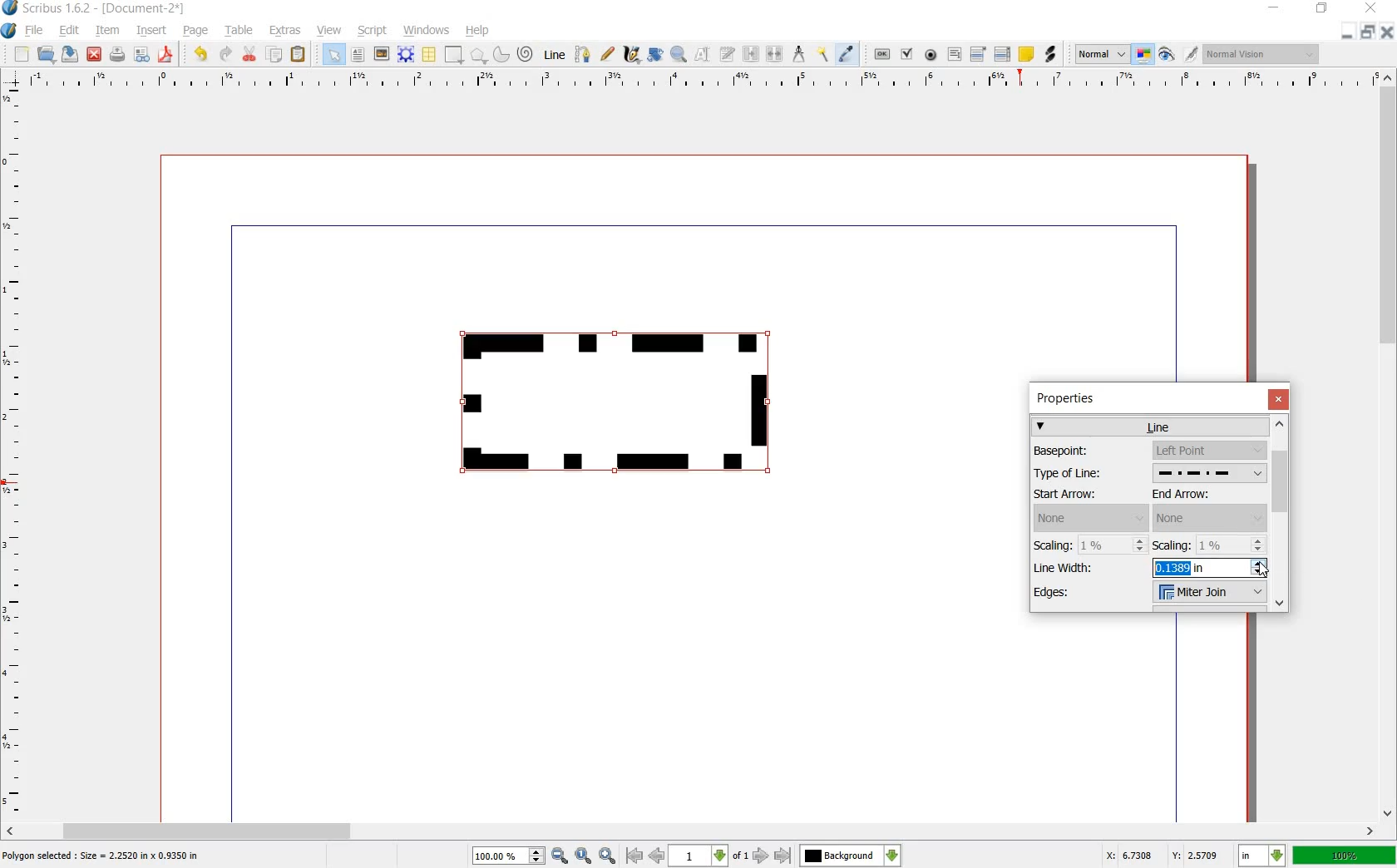 The height and width of the screenshot is (868, 1397). I want to click on PDF RADIO BUTTON, so click(931, 55).